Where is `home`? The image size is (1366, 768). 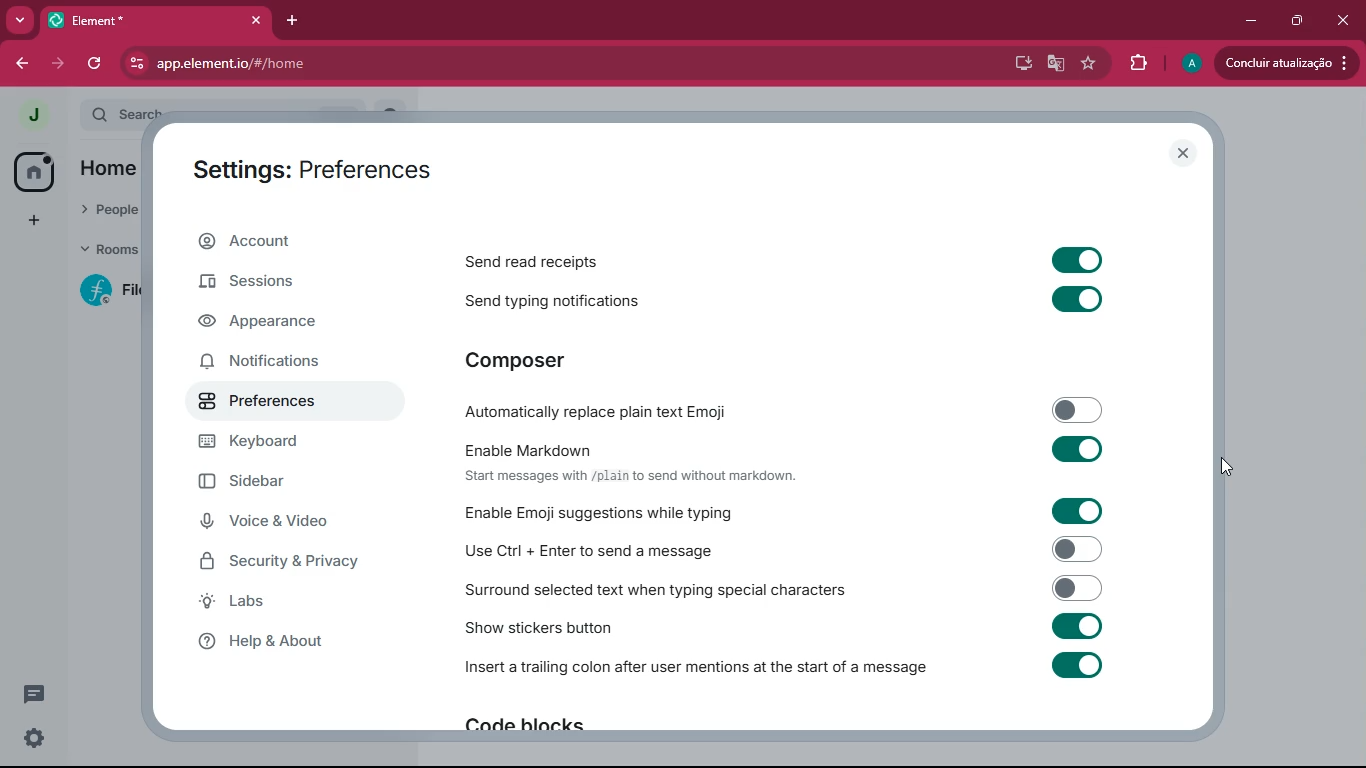
home is located at coordinates (34, 171).